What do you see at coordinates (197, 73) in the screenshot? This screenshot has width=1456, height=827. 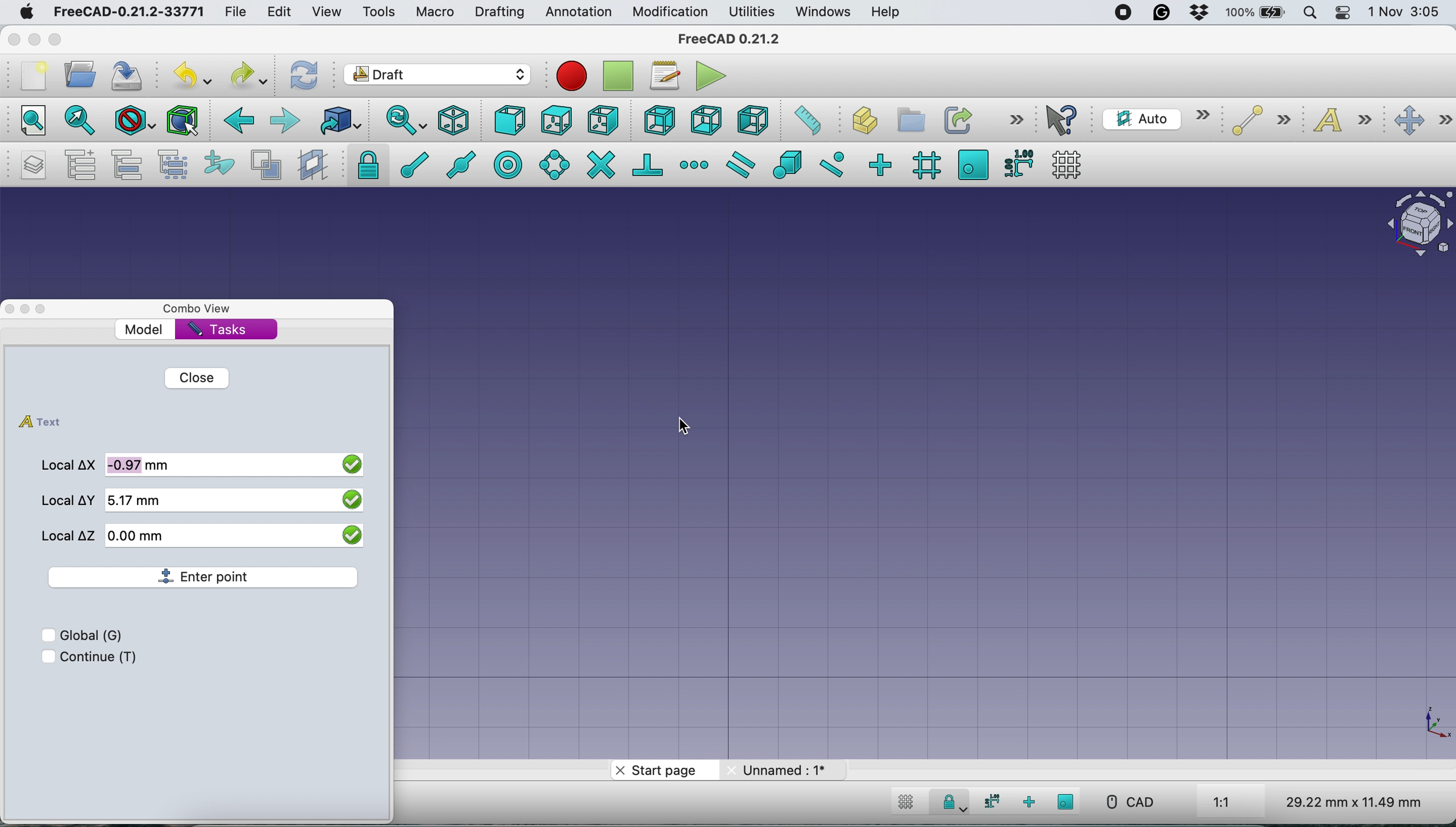 I see `undo` at bounding box center [197, 73].